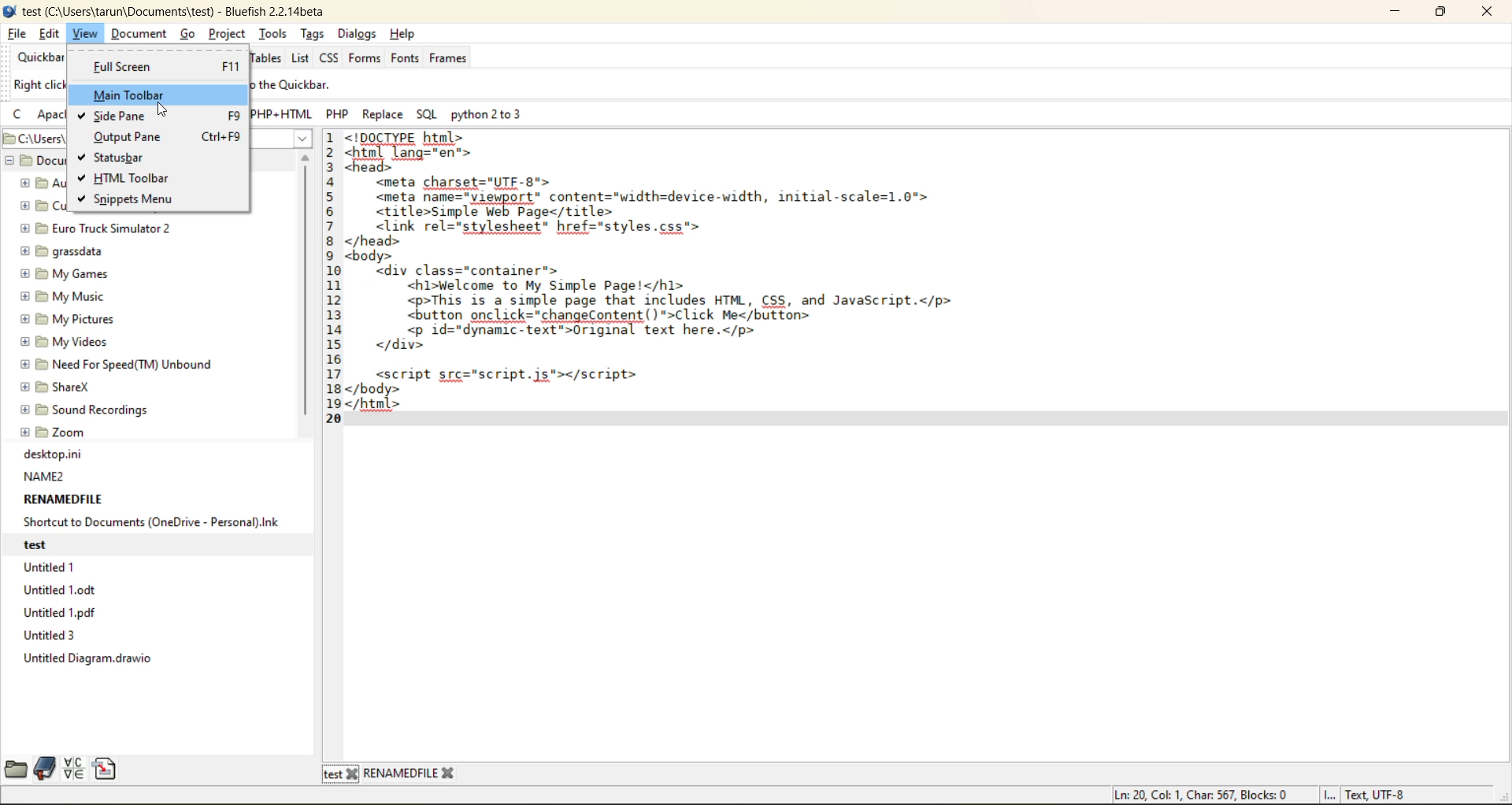 Image resolution: width=1512 pixels, height=805 pixels. What do you see at coordinates (1482, 14) in the screenshot?
I see `close` at bounding box center [1482, 14].